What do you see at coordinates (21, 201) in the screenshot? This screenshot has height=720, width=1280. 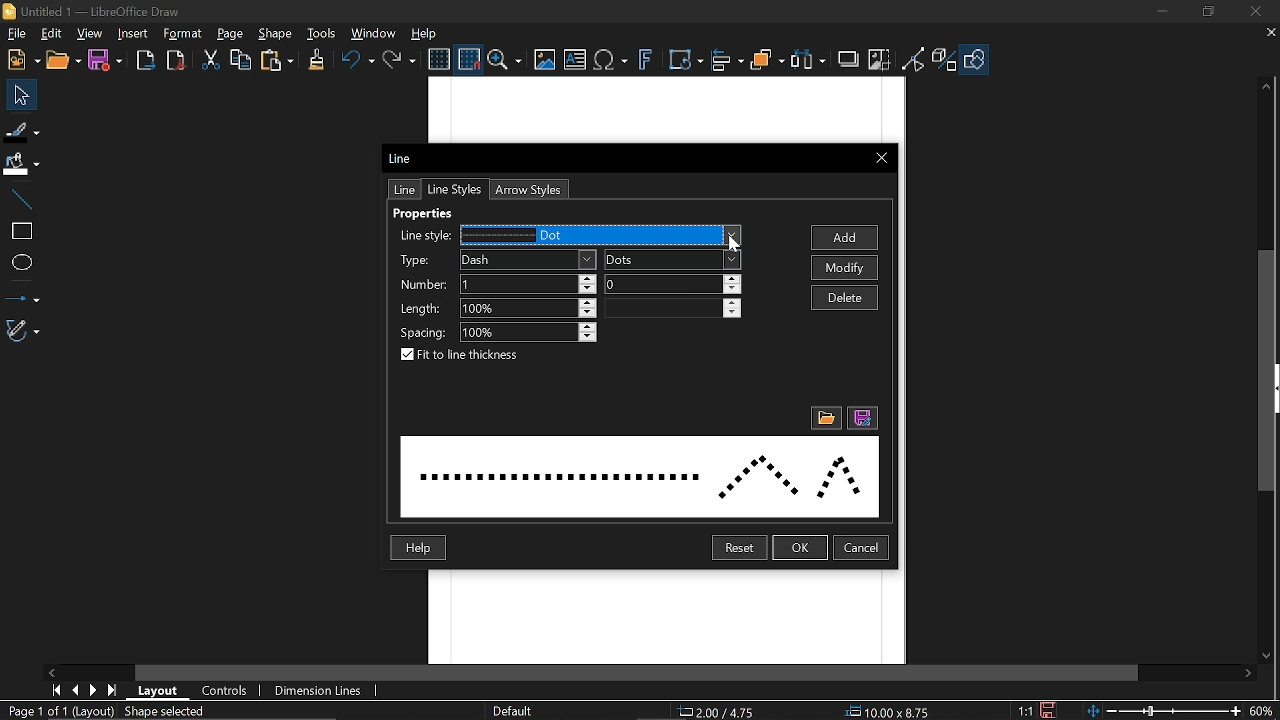 I see `Line` at bounding box center [21, 201].